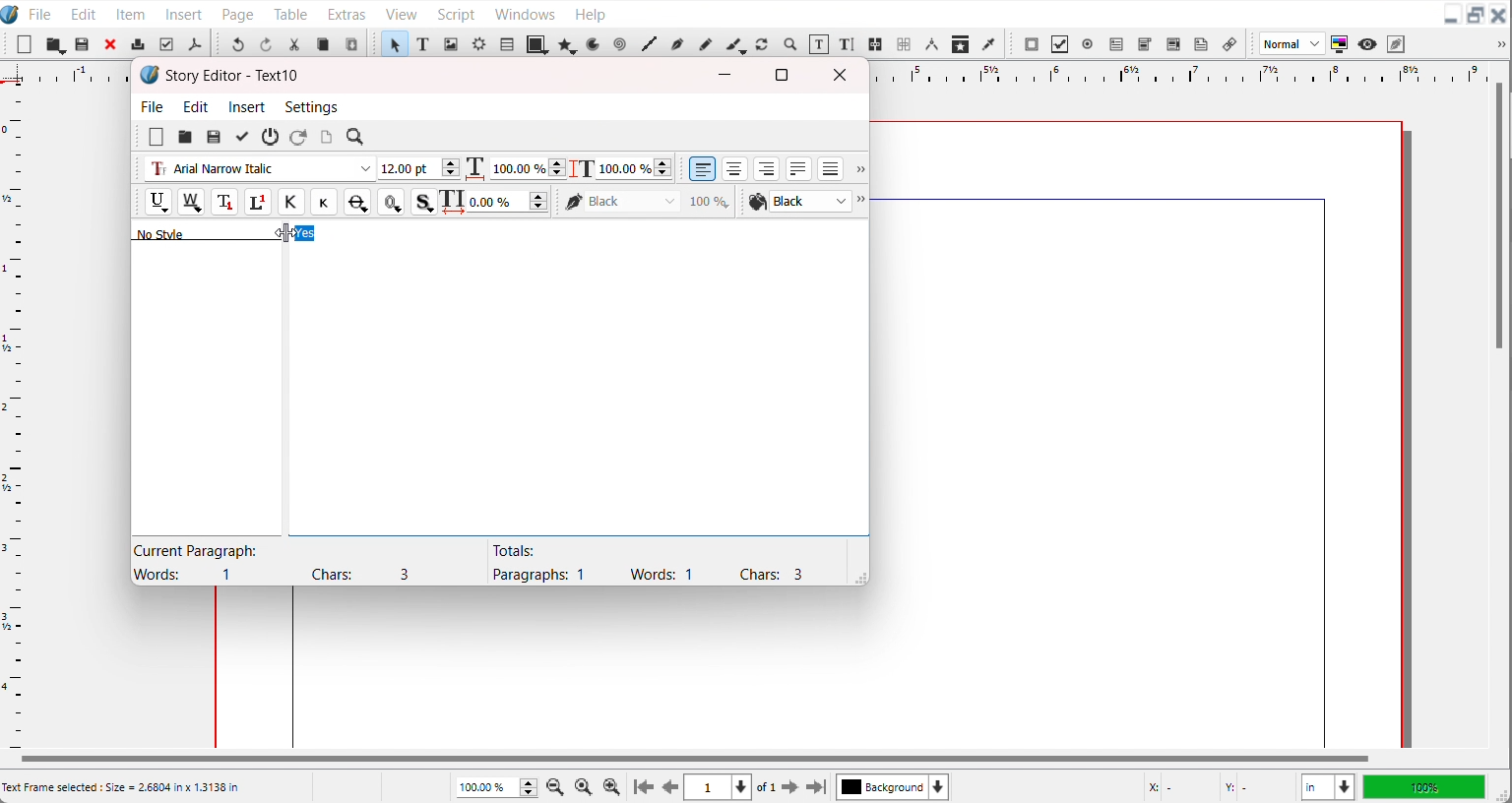 This screenshot has width=1512, height=803. What do you see at coordinates (185, 13) in the screenshot?
I see `Insert` at bounding box center [185, 13].